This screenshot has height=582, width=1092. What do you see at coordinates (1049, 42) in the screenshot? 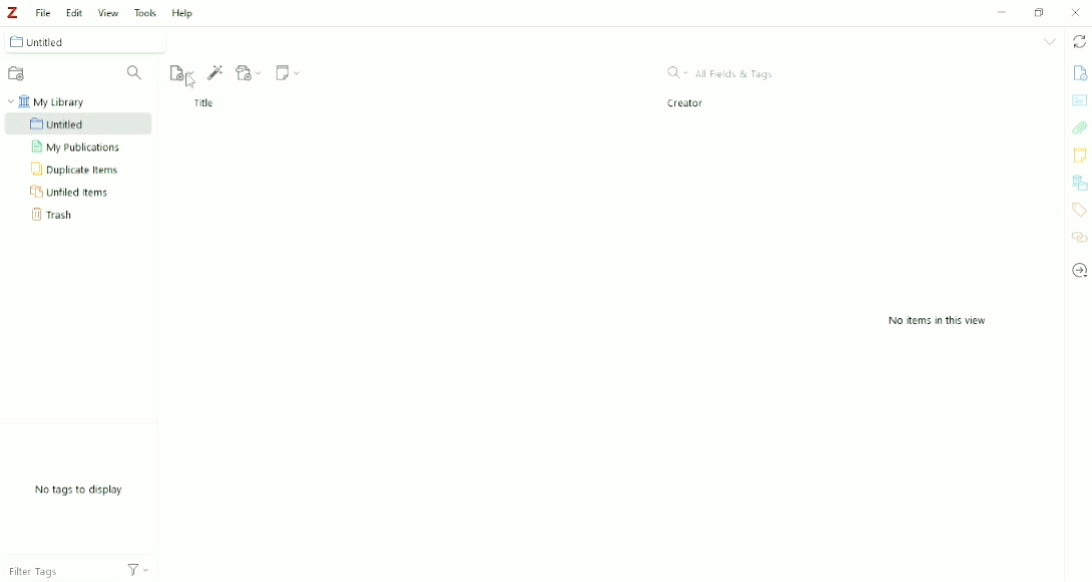
I see `List all tabs` at bounding box center [1049, 42].